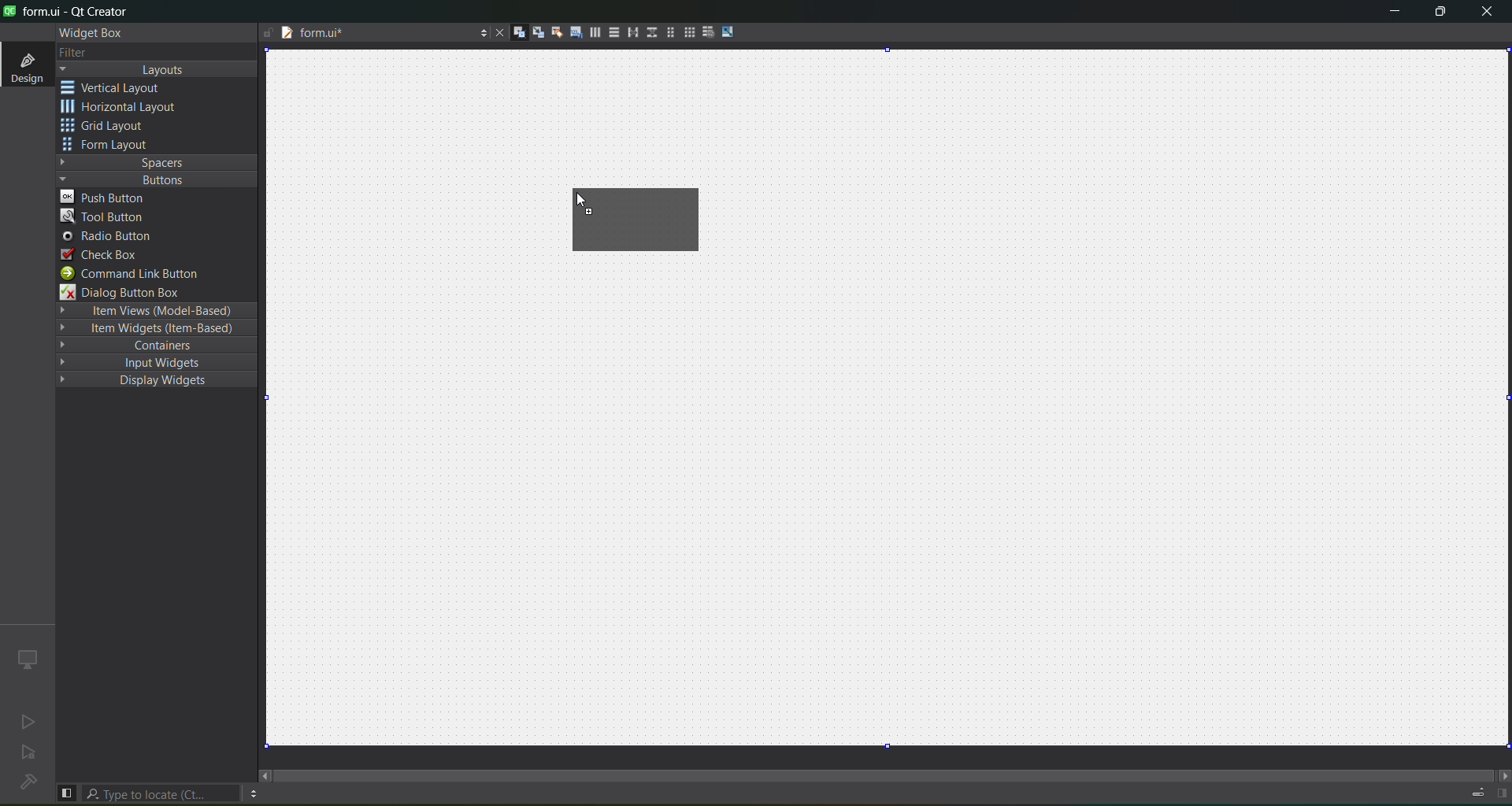 Image resolution: width=1512 pixels, height=806 pixels. Describe the element at coordinates (495, 32) in the screenshot. I see `close tab` at that location.